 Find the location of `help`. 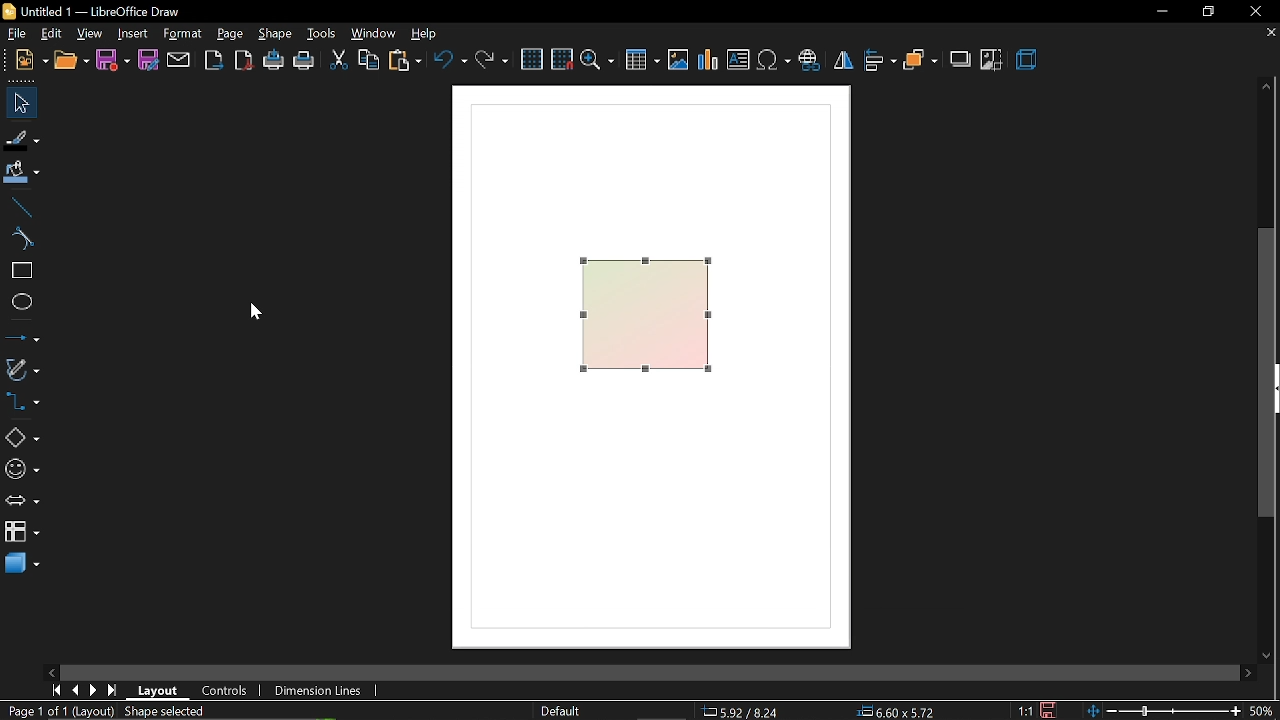

help is located at coordinates (430, 34).